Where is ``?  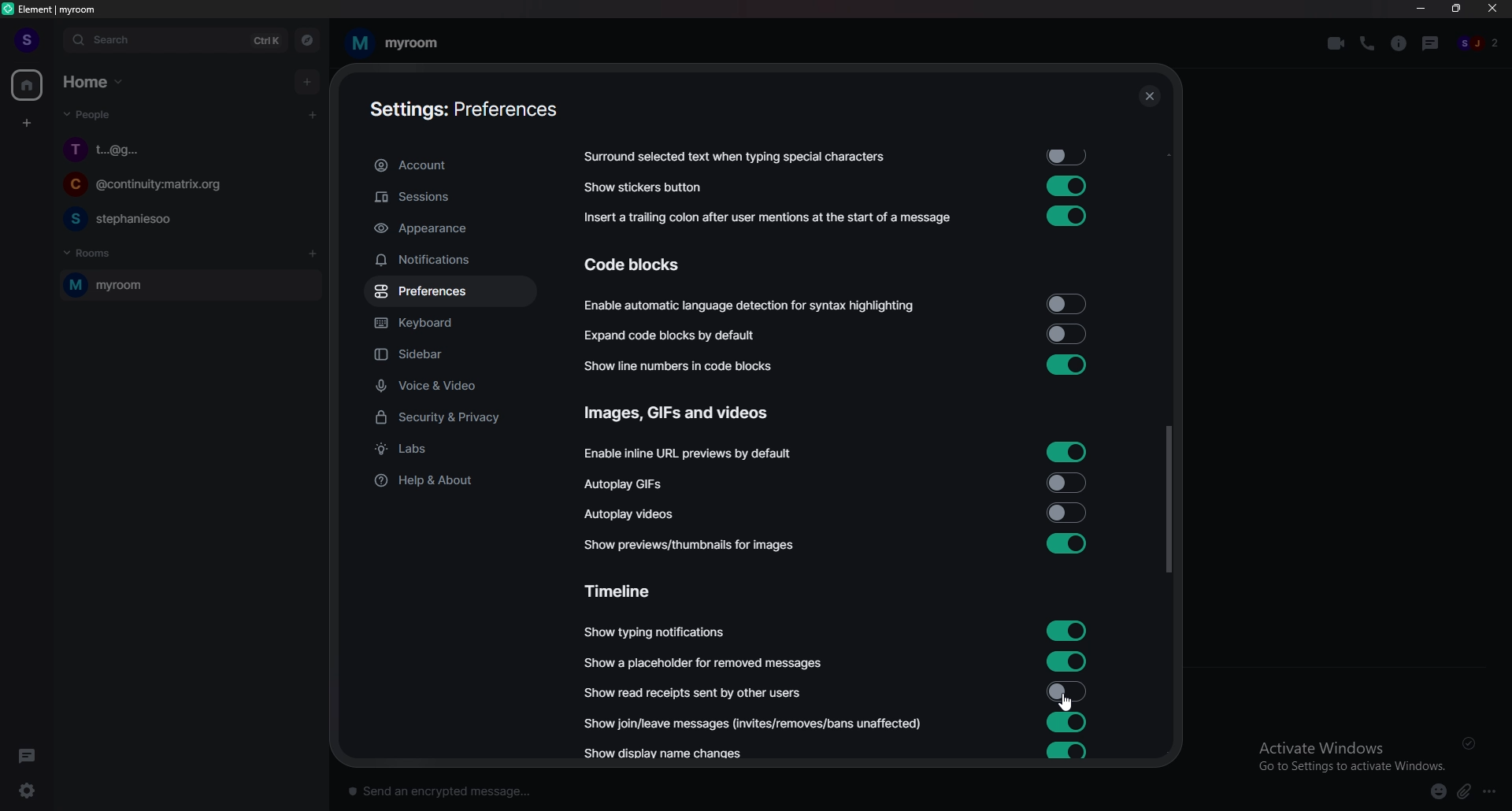
 is located at coordinates (1473, 743).